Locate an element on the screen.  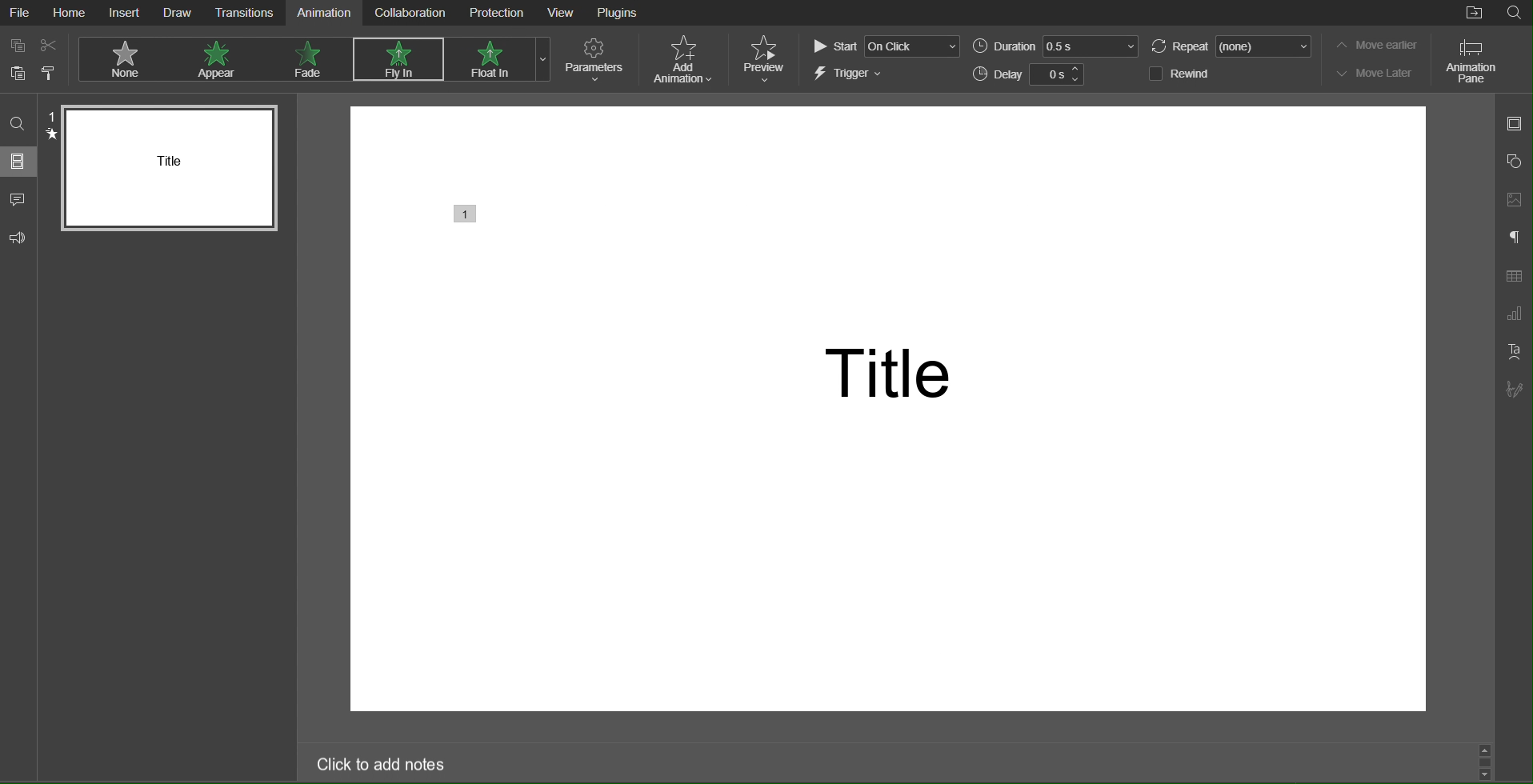
Transitions is located at coordinates (243, 13).